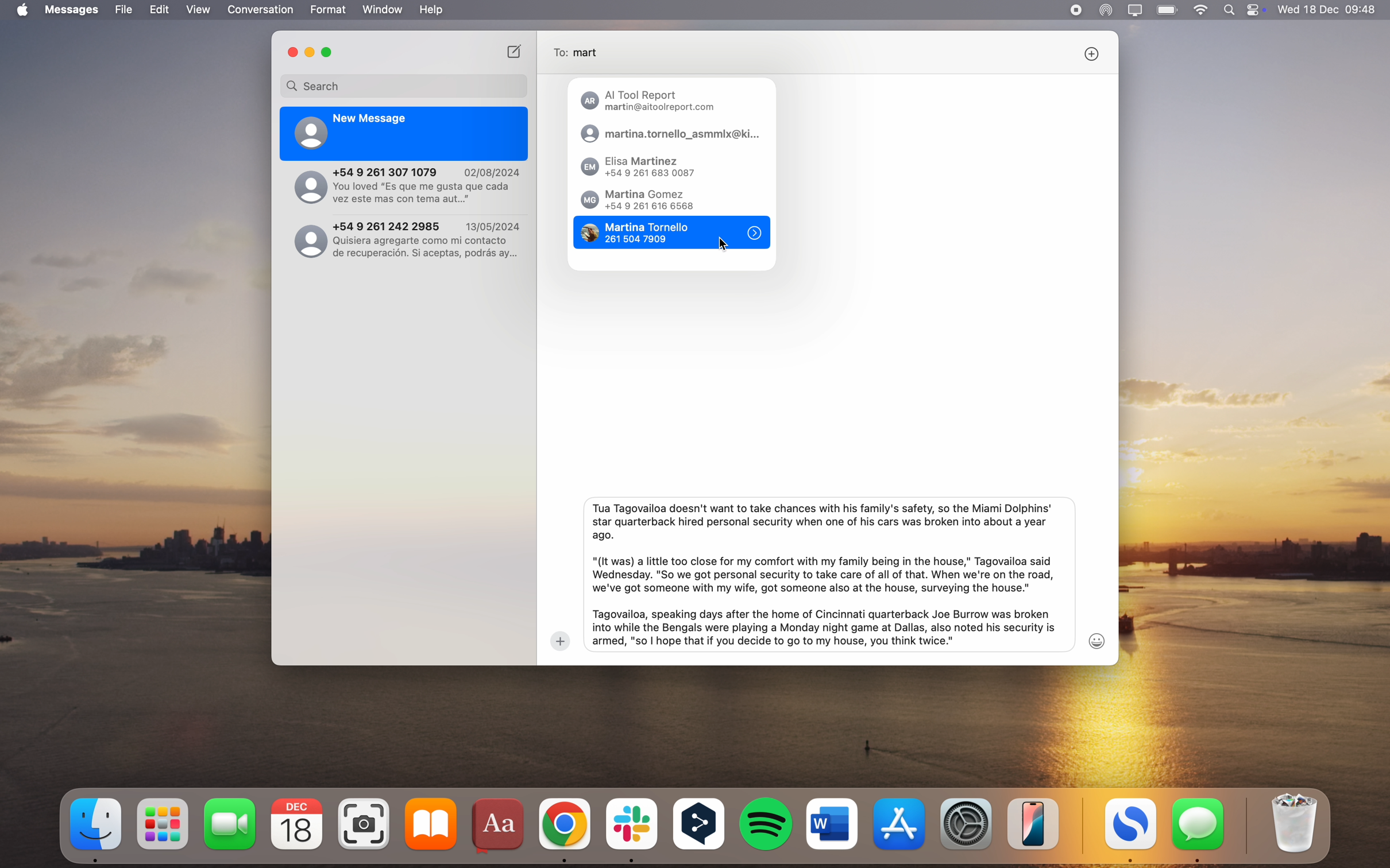  What do you see at coordinates (97, 829) in the screenshot?
I see `finder` at bounding box center [97, 829].